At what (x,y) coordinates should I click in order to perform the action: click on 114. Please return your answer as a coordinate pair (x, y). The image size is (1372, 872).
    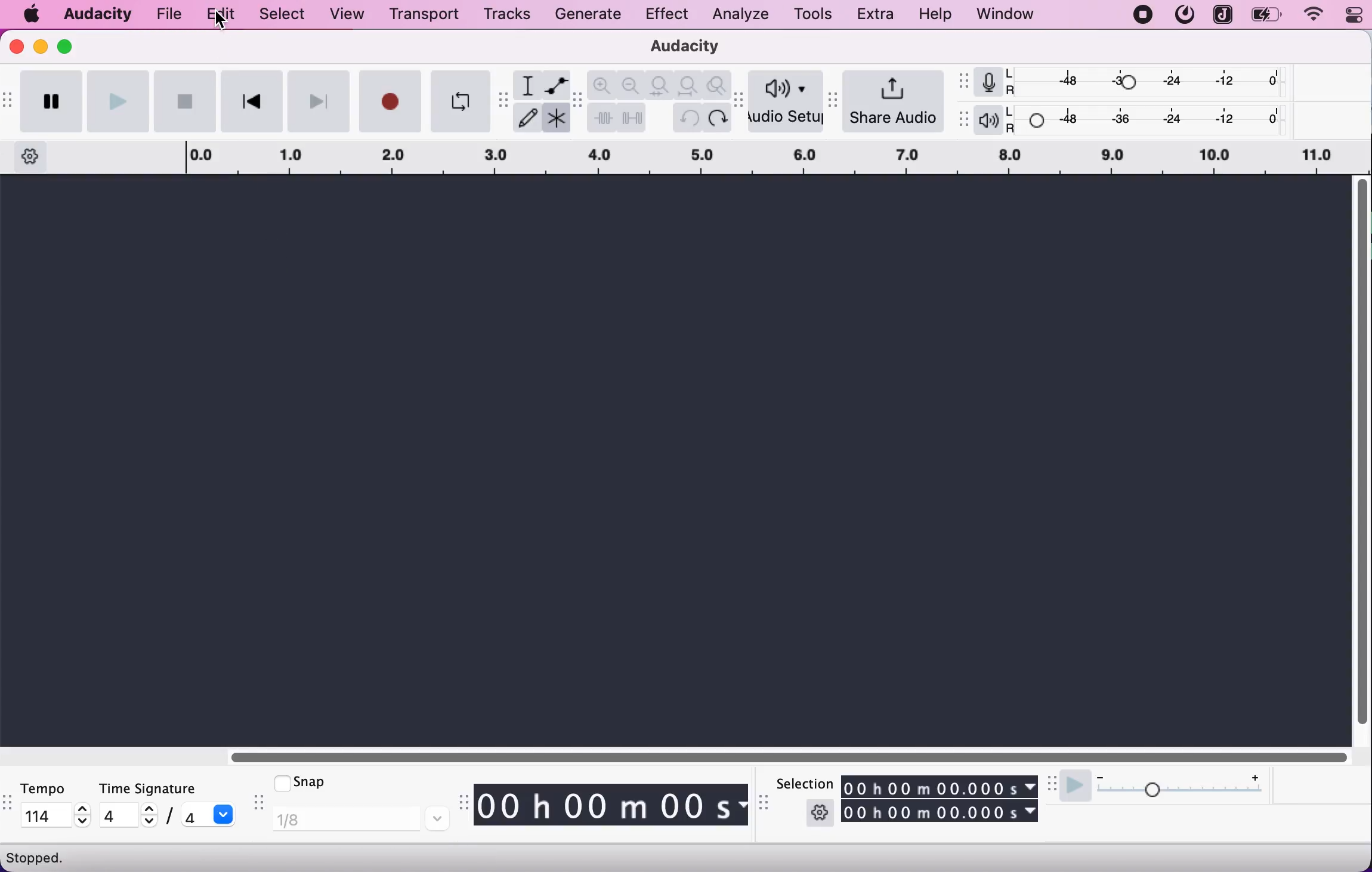
    Looking at the image, I should click on (47, 814).